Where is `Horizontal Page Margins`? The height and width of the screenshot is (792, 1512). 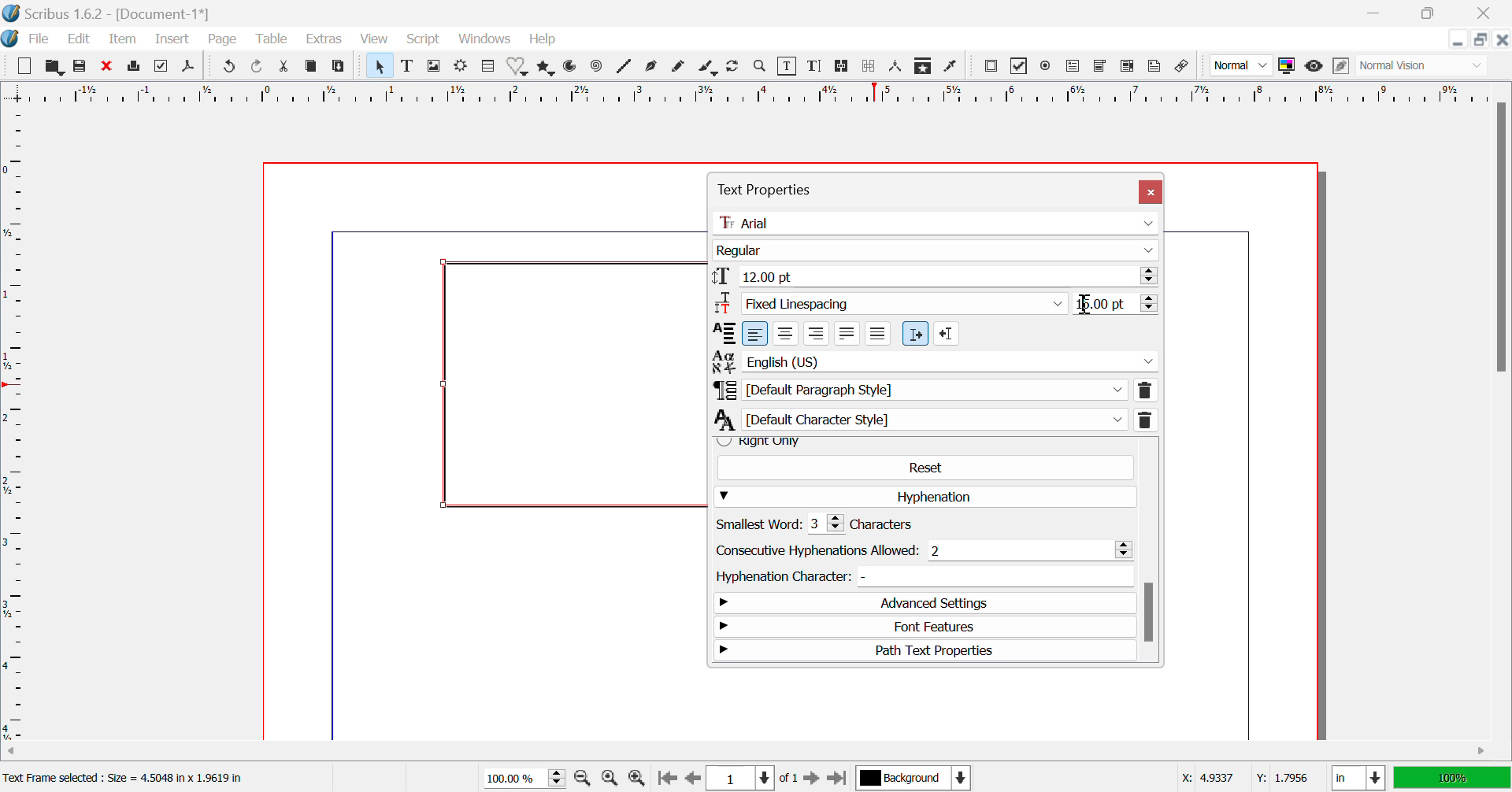 Horizontal Page Margins is located at coordinates (19, 425).